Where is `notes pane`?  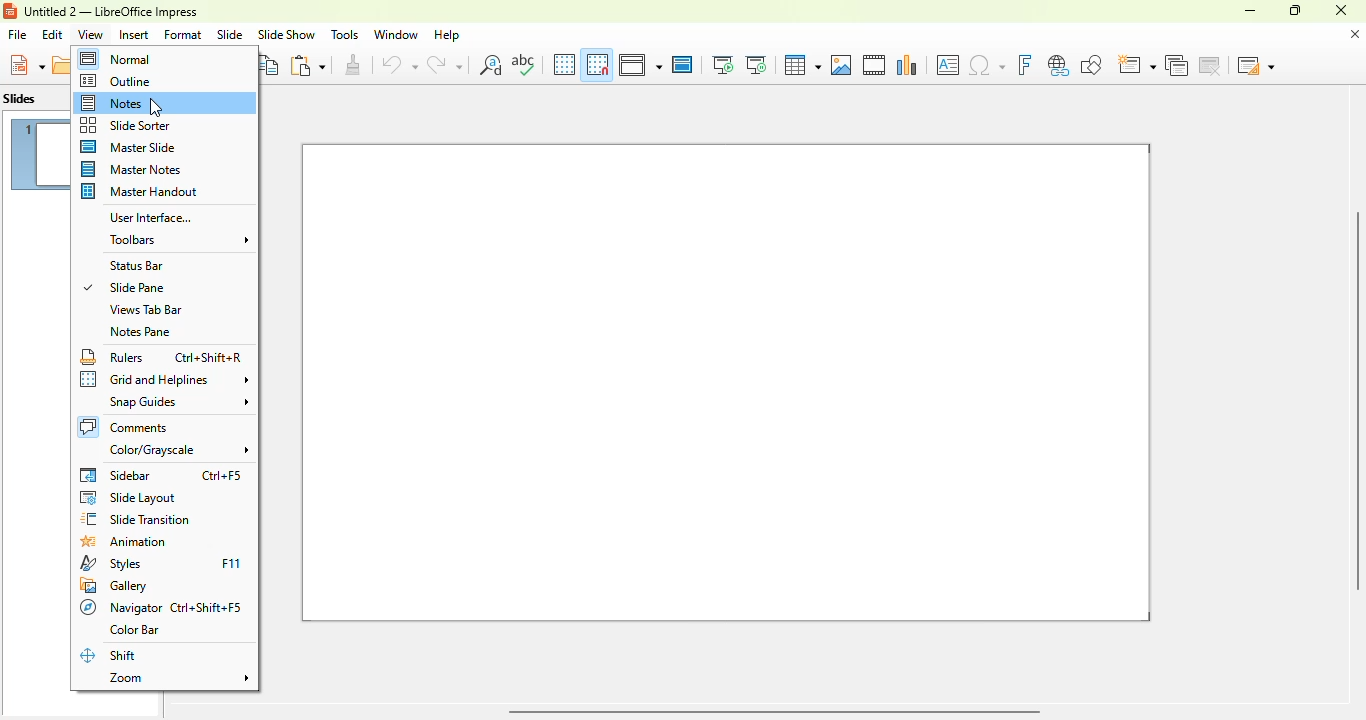 notes pane is located at coordinates (139, 331).